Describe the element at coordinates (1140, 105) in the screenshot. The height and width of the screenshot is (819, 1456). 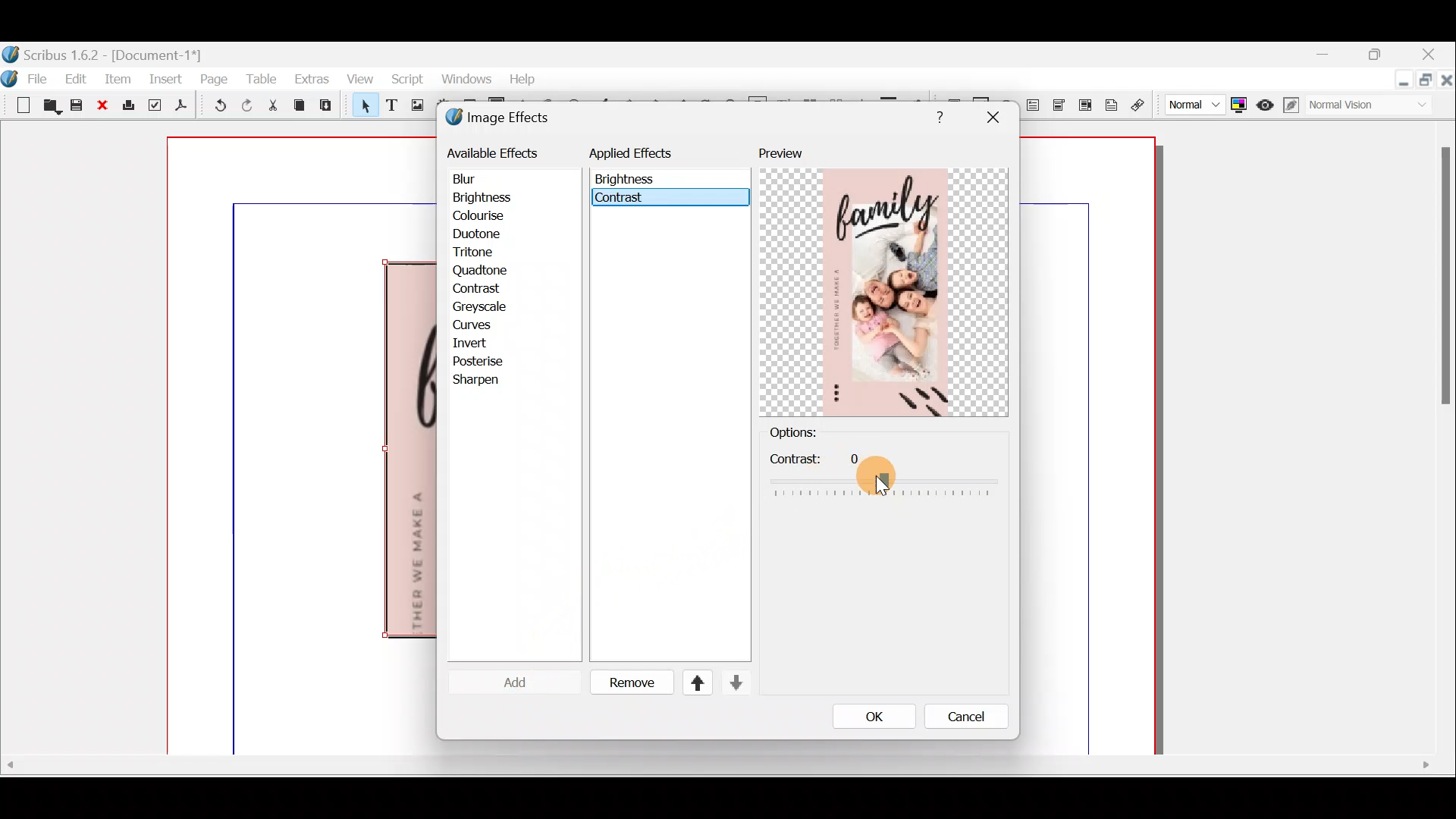
I see `Link annotation` at that location.